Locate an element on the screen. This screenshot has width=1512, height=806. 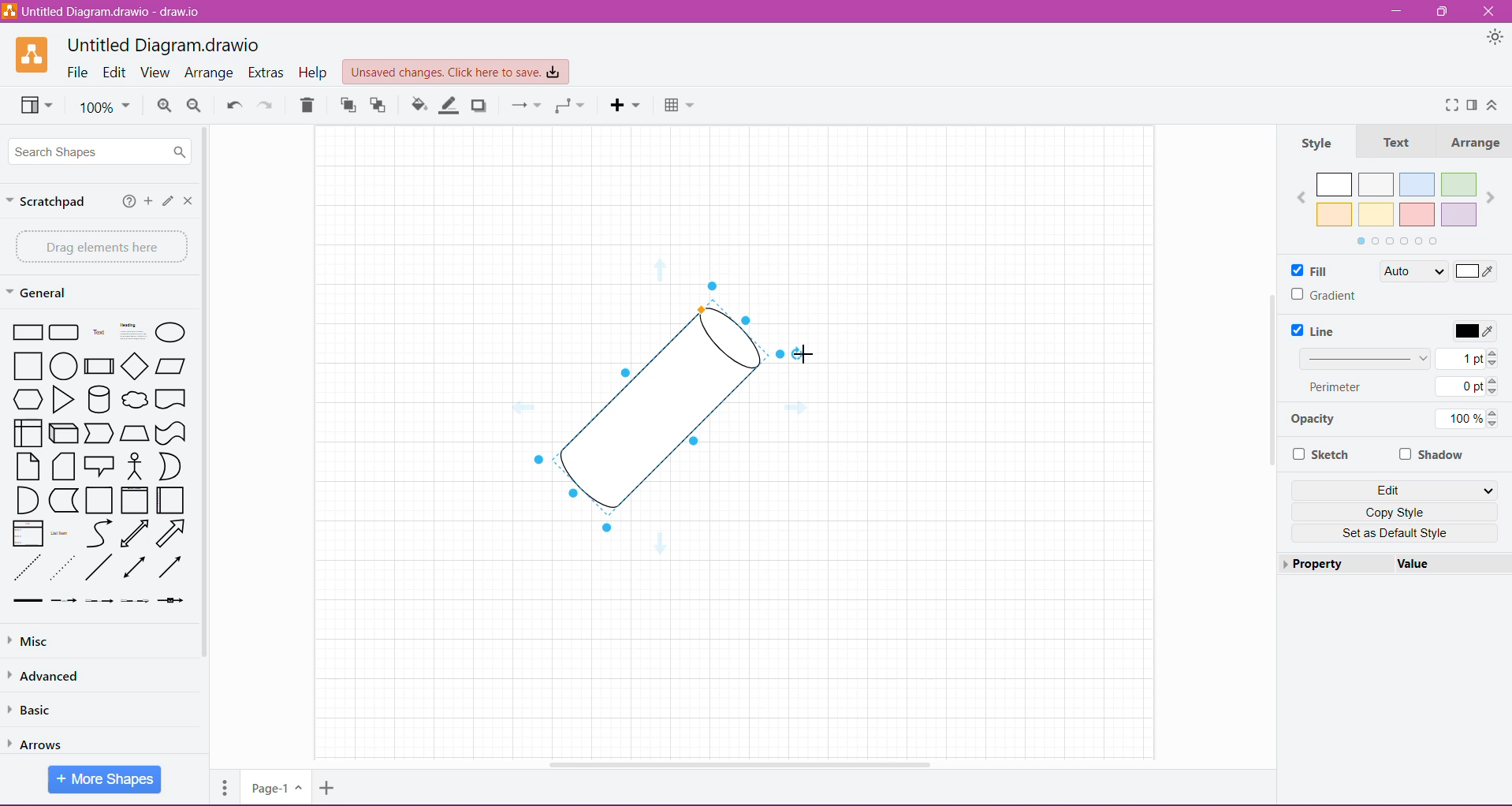
Fill - enabled is located at coordinates (1324, 270).